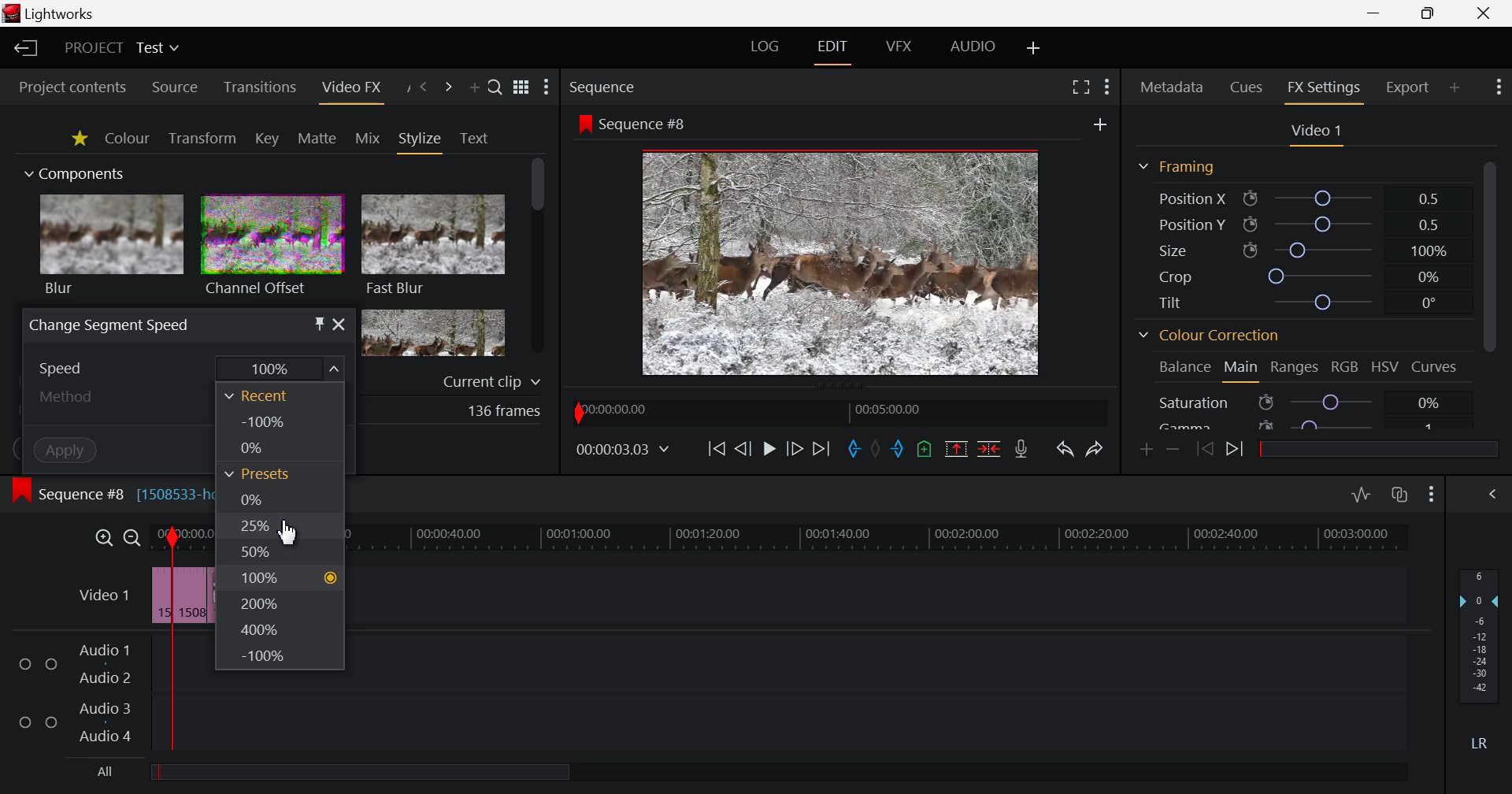  What do you see at coordinates (623, 449) in the screenshot?
I see `Frame Time` at bounding box center [623, 449].